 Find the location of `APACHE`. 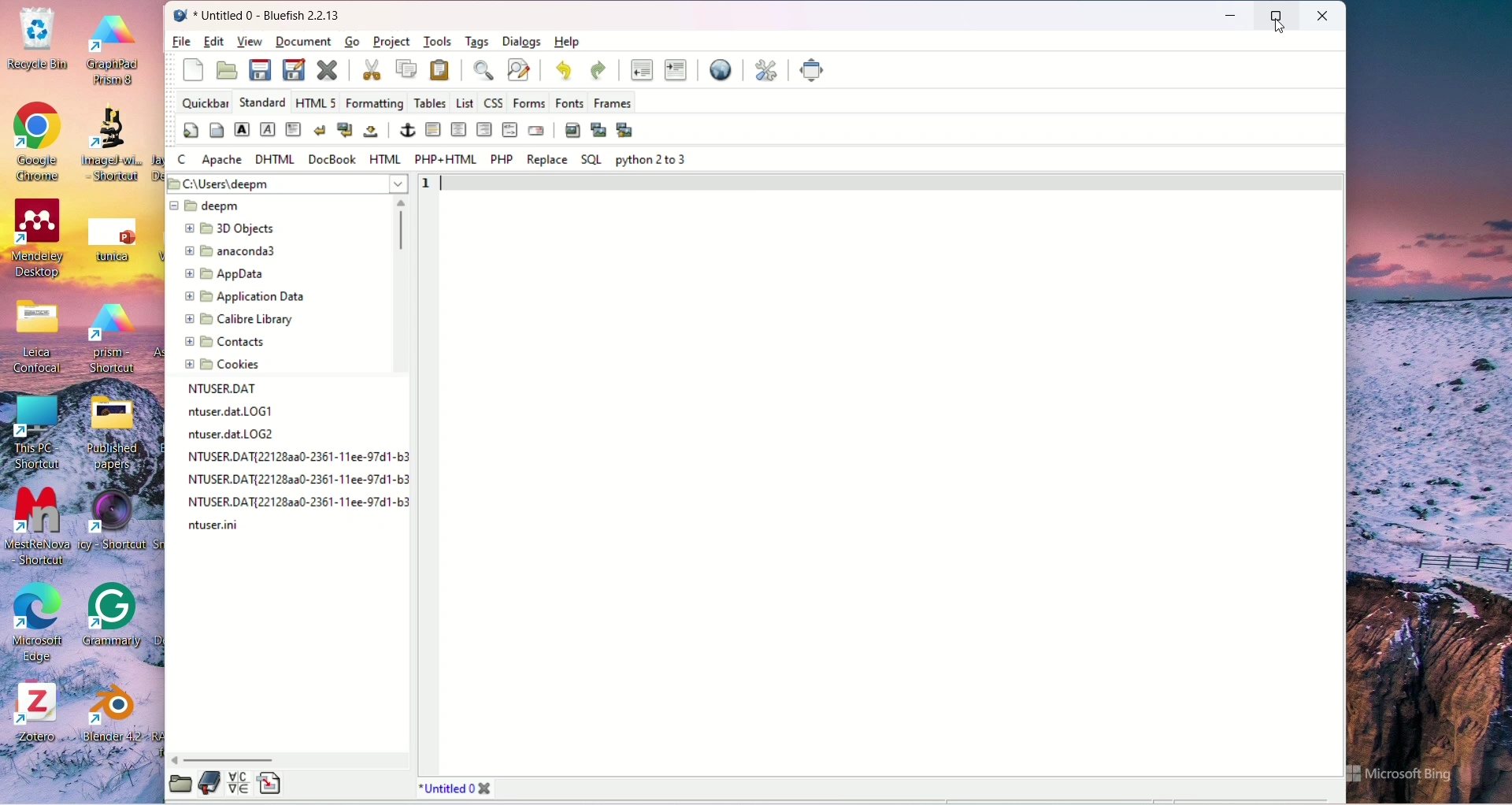

APACHE is located at coordinates (224, 161).